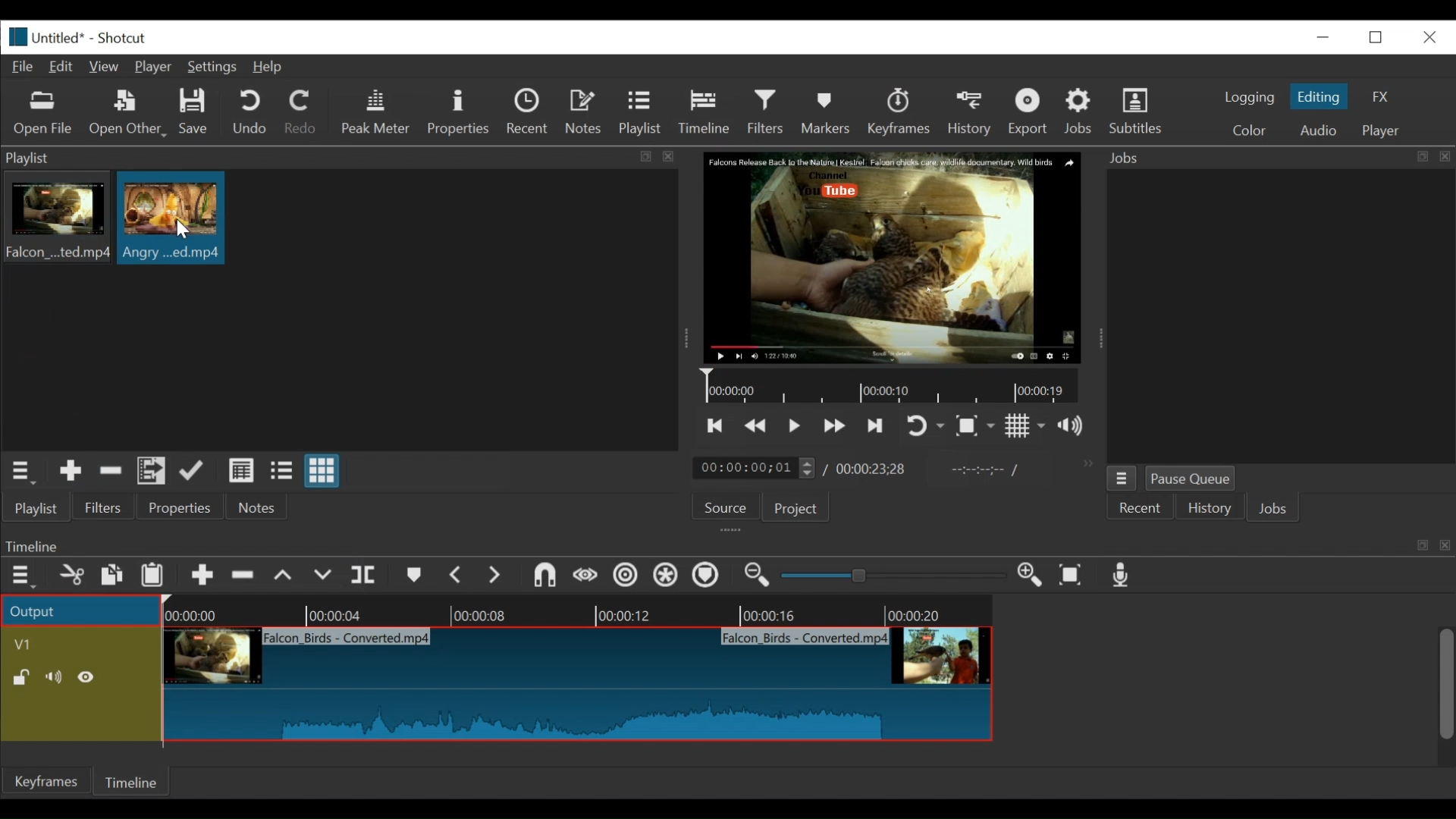  What do you see at coordinates (1323, 36) in the screenshot?
I see `minimize` at bounding box center [1323, 36].